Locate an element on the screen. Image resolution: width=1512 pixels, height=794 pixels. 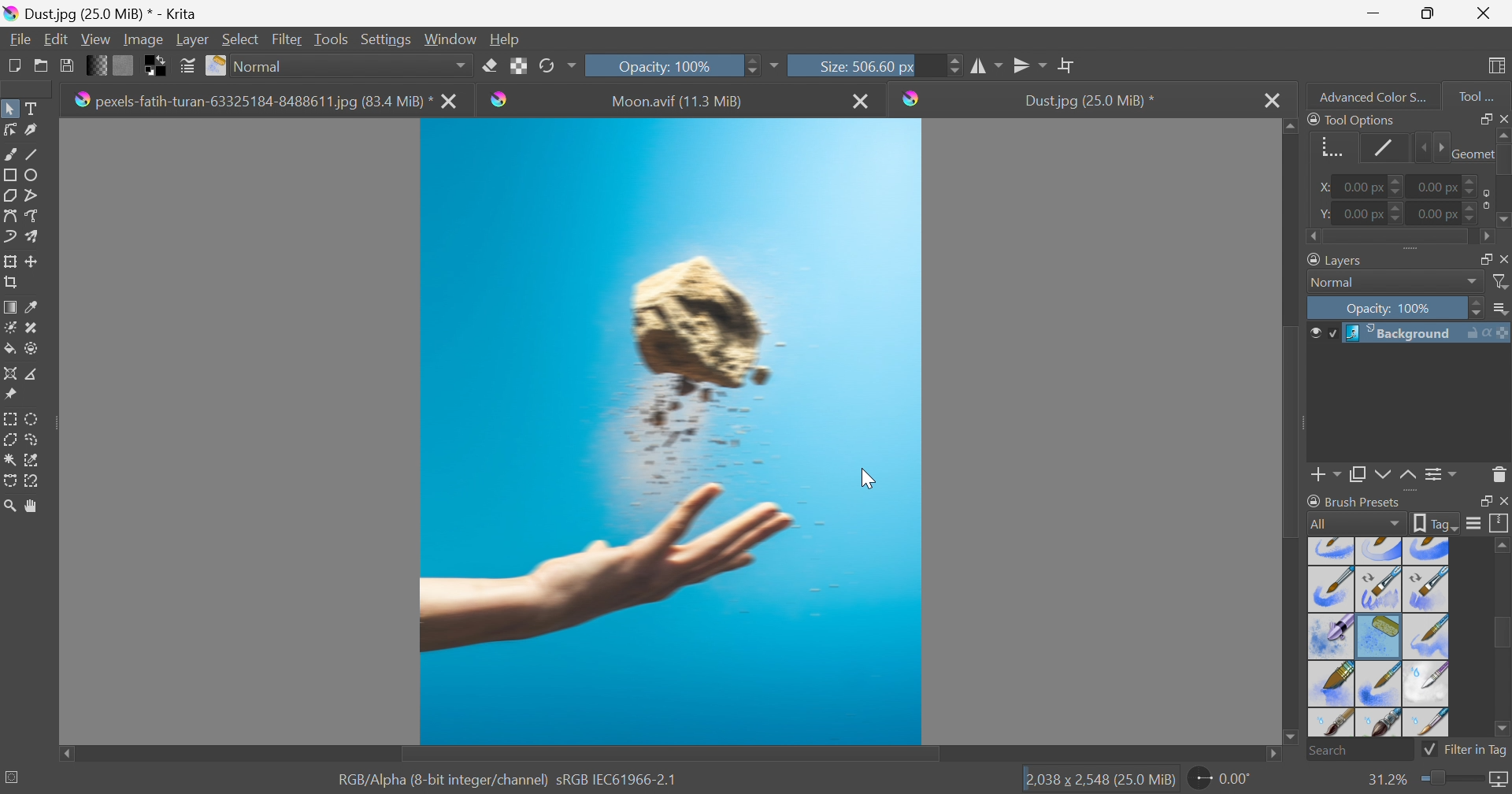
File is located at coordinates (19, 38).